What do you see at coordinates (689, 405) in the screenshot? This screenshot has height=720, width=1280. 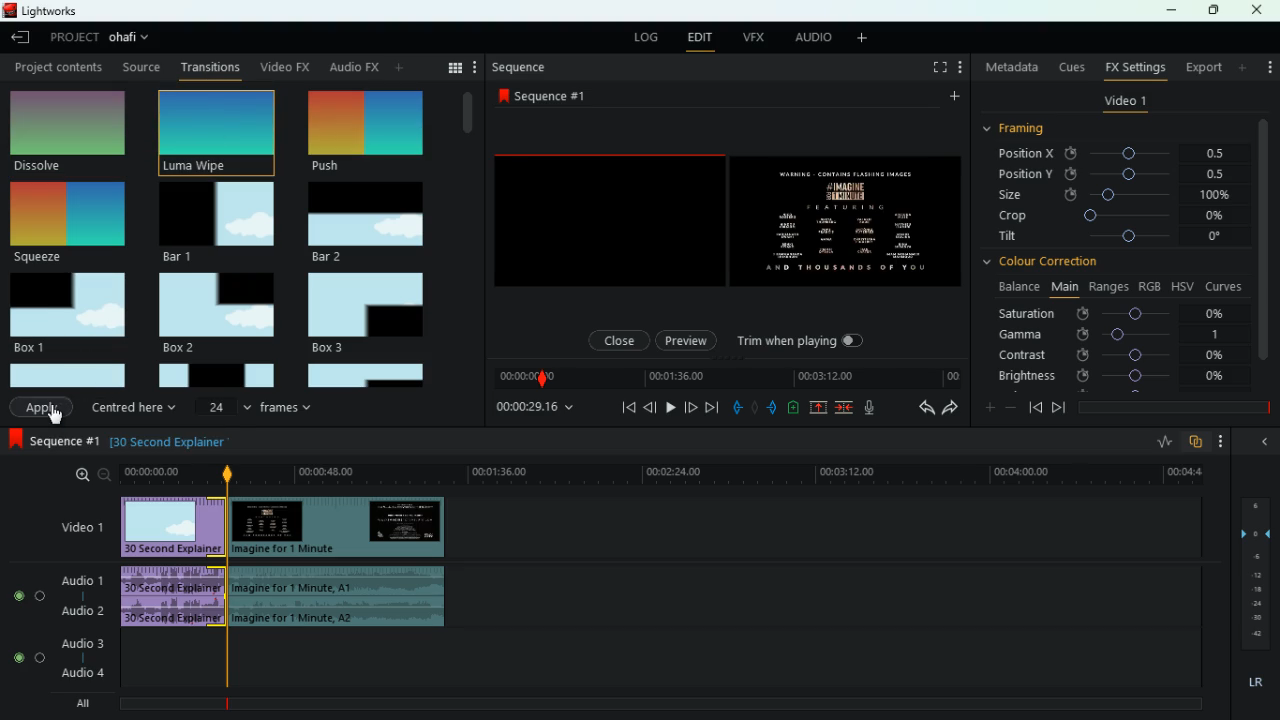 I see `front` at bounding box center [689, 405].